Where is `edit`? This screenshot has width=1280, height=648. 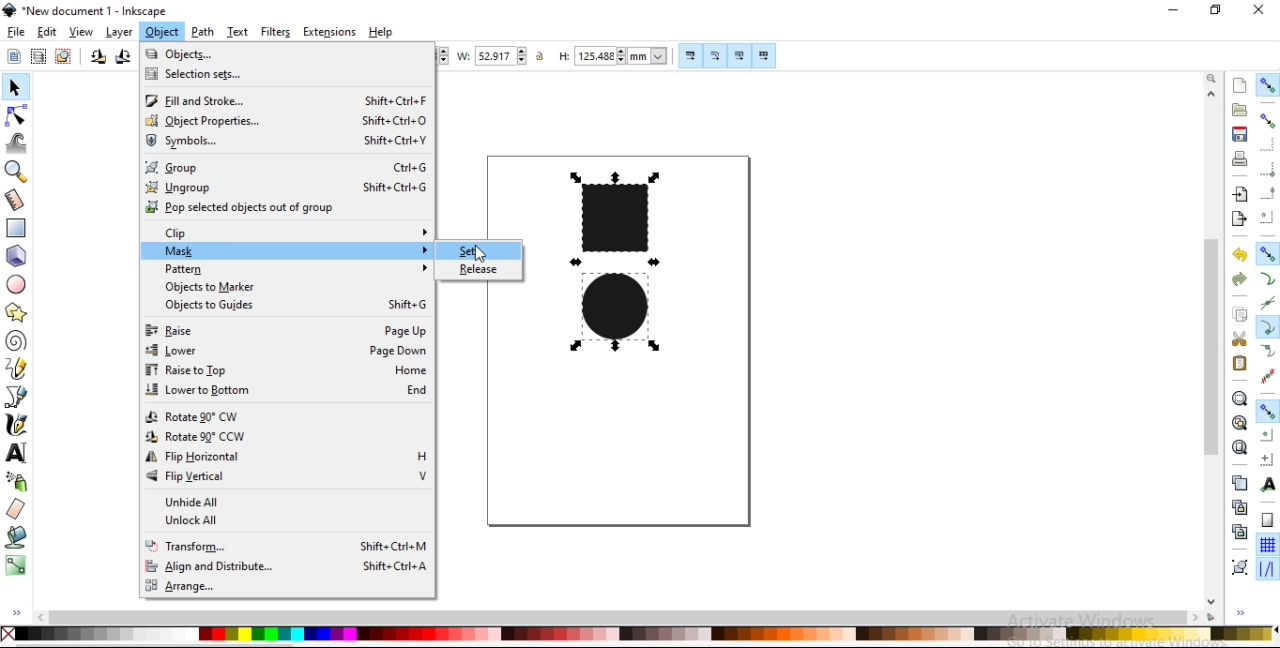
edit is located at coordinates (47, 32).